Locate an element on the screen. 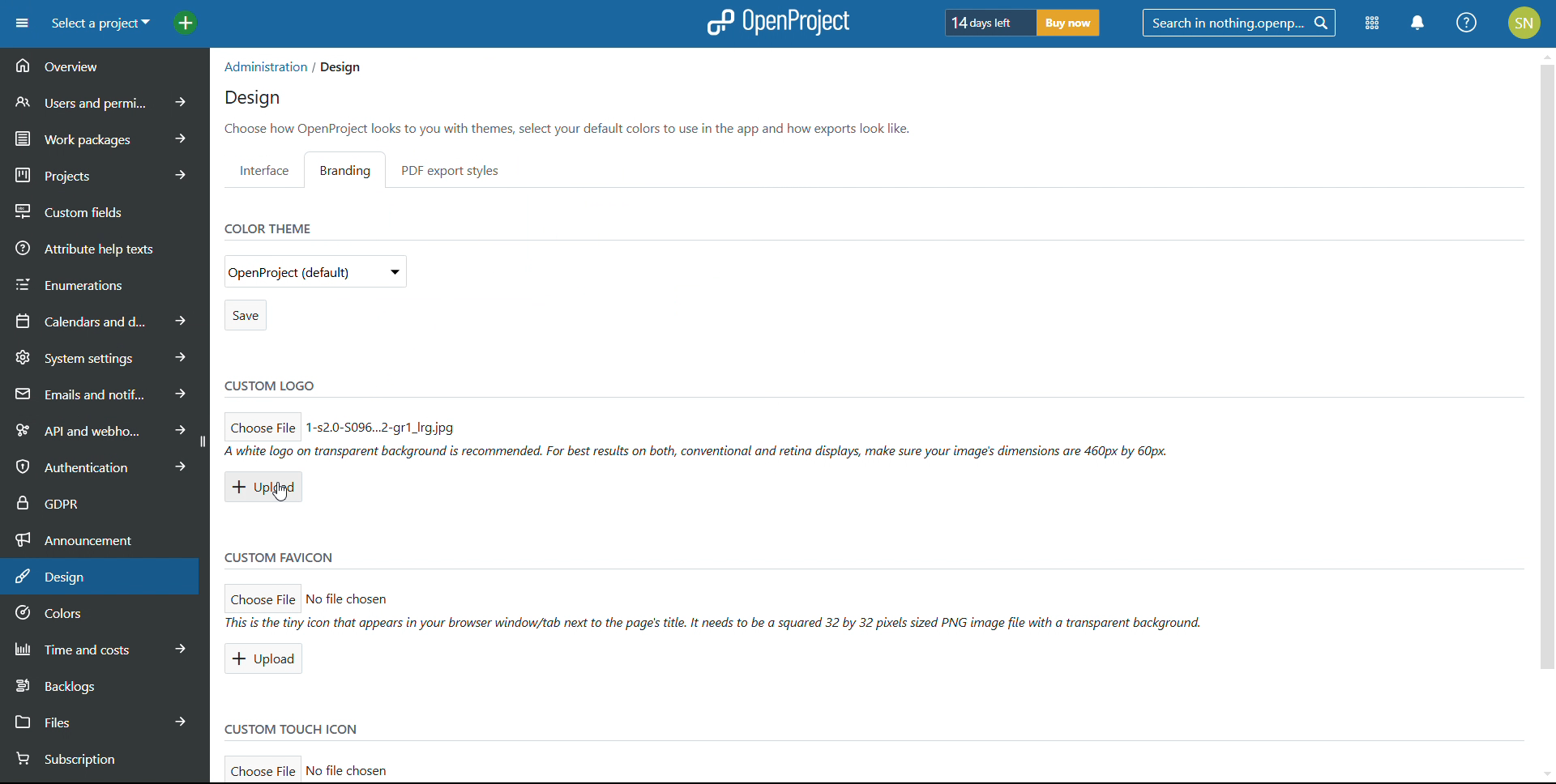  backlogs is located at coordinates (102, 684).